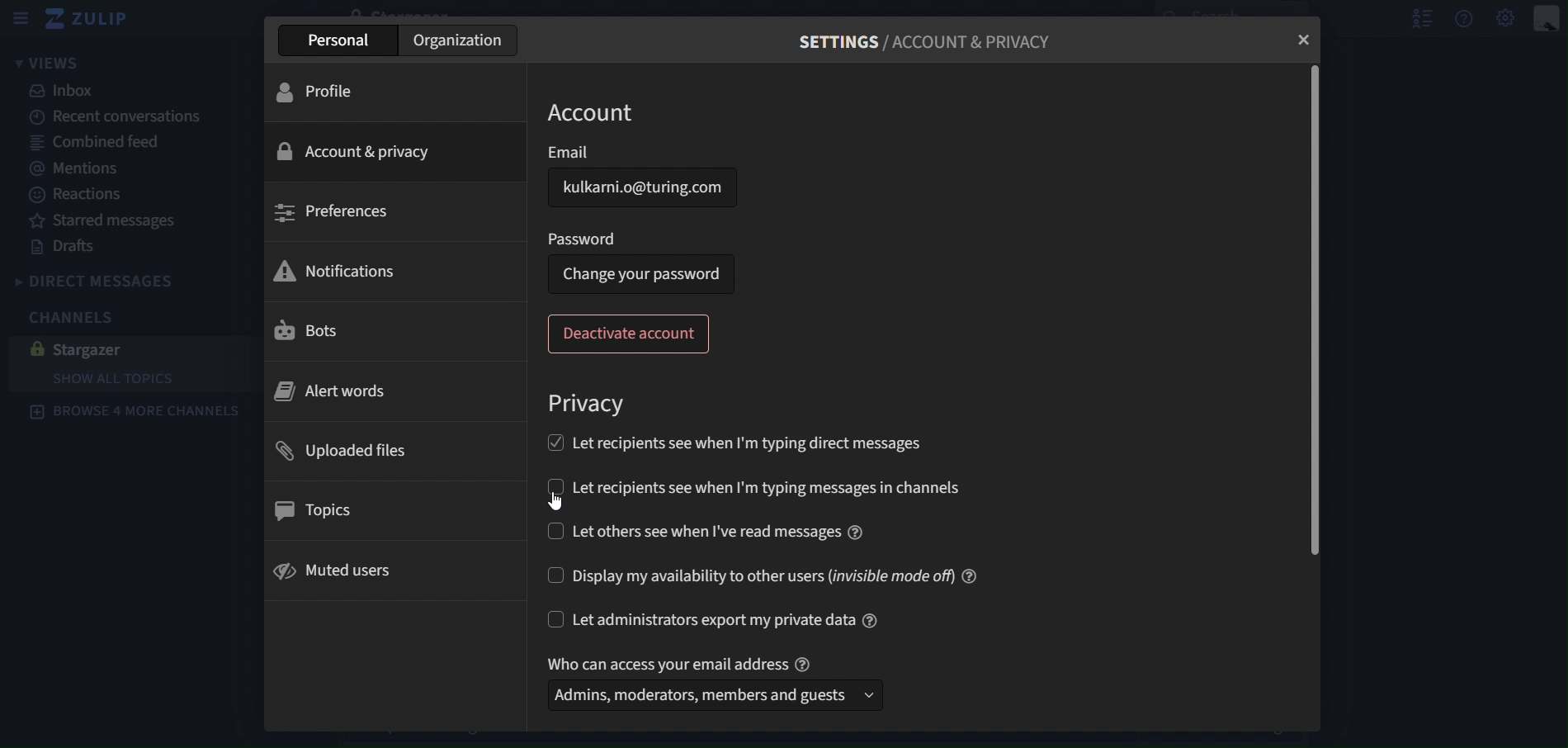 The image size is (1568, 748). What do you see at coordinates (61, 249) in the screenshot?
I see `drafts` at bounding box center [61, 249].